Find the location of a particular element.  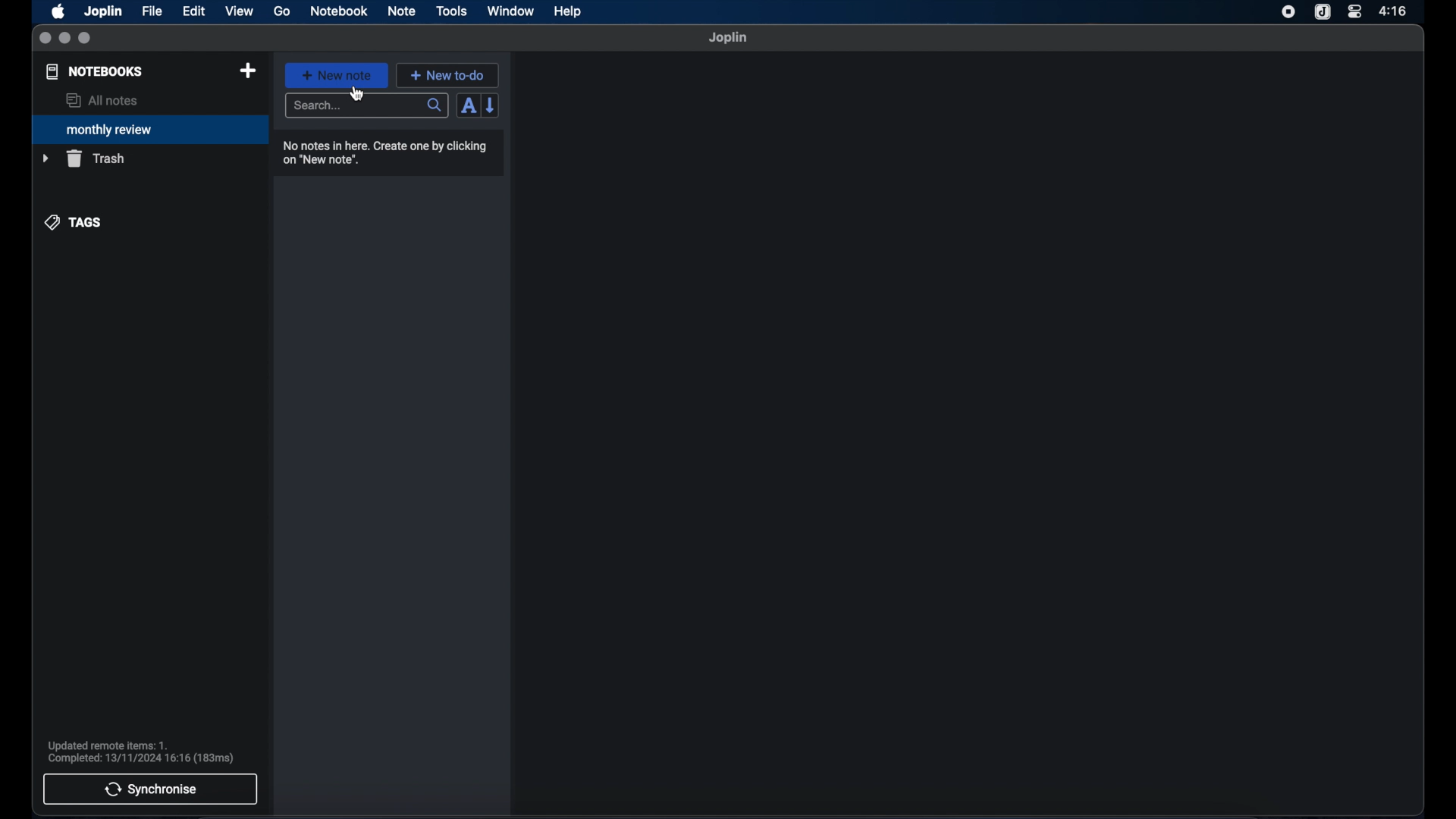

control center is located at coordinates (1354, 11).